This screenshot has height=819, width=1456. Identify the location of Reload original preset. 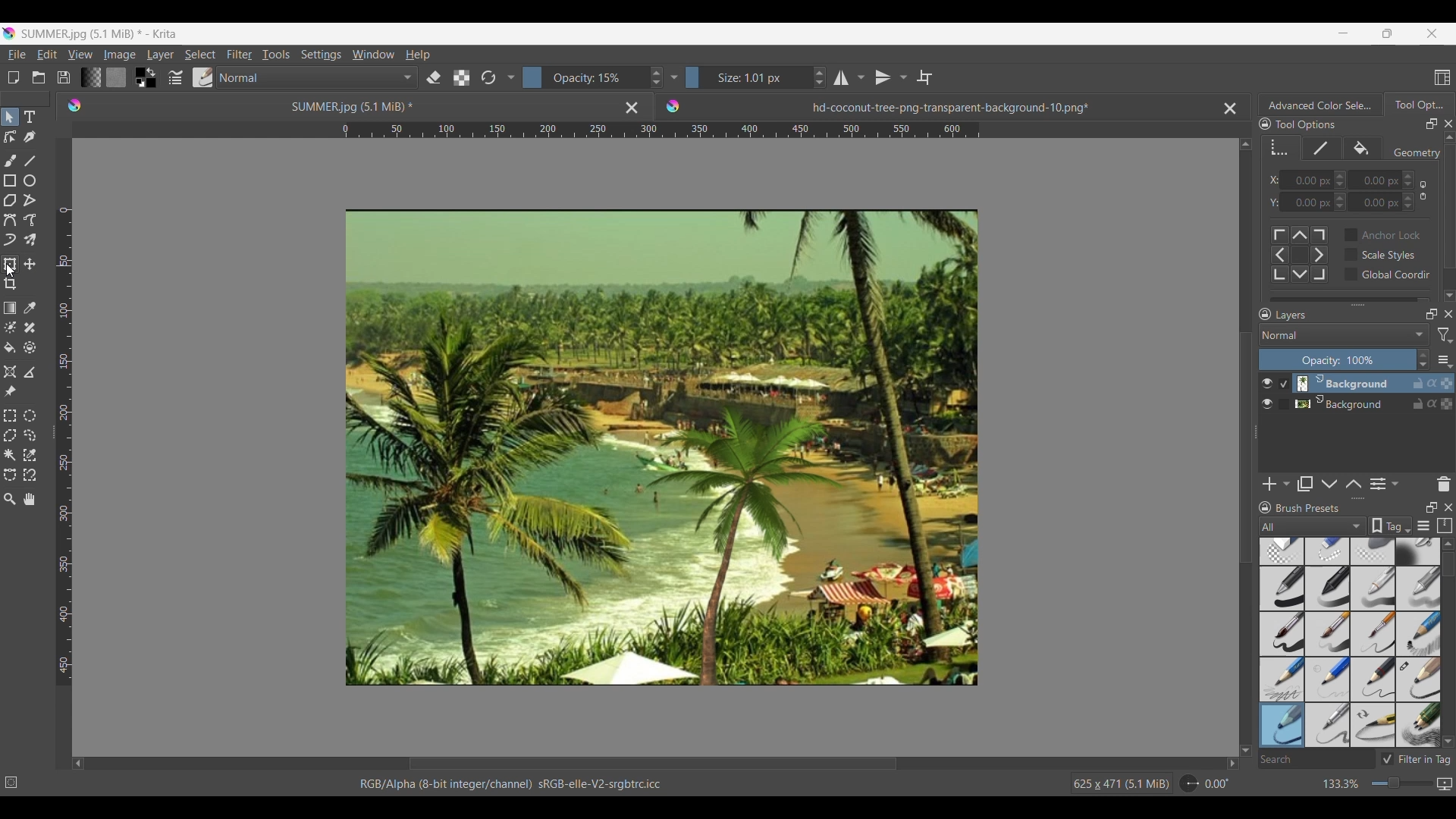
(488, 77).